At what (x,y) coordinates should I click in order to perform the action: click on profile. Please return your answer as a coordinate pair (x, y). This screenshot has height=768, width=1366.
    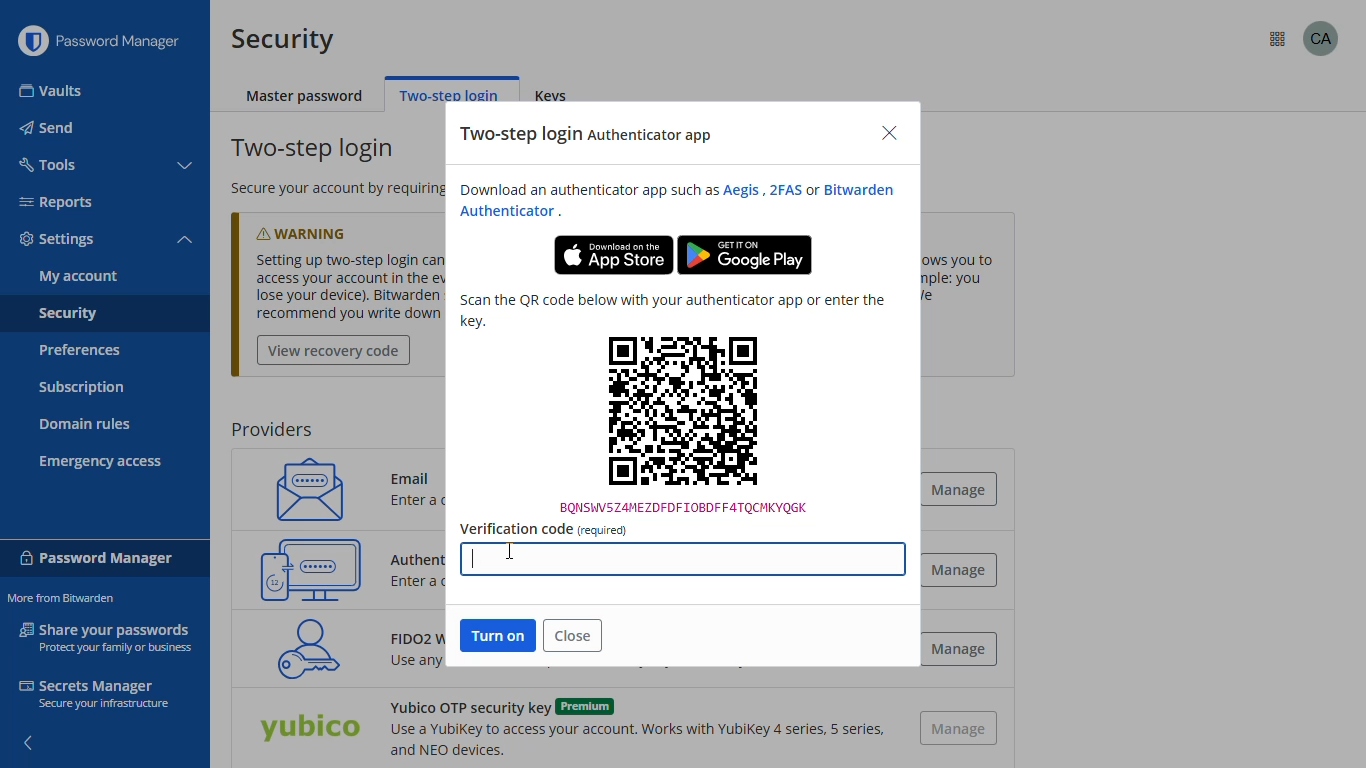
    Looking at the image, I should click on (1321, 38).